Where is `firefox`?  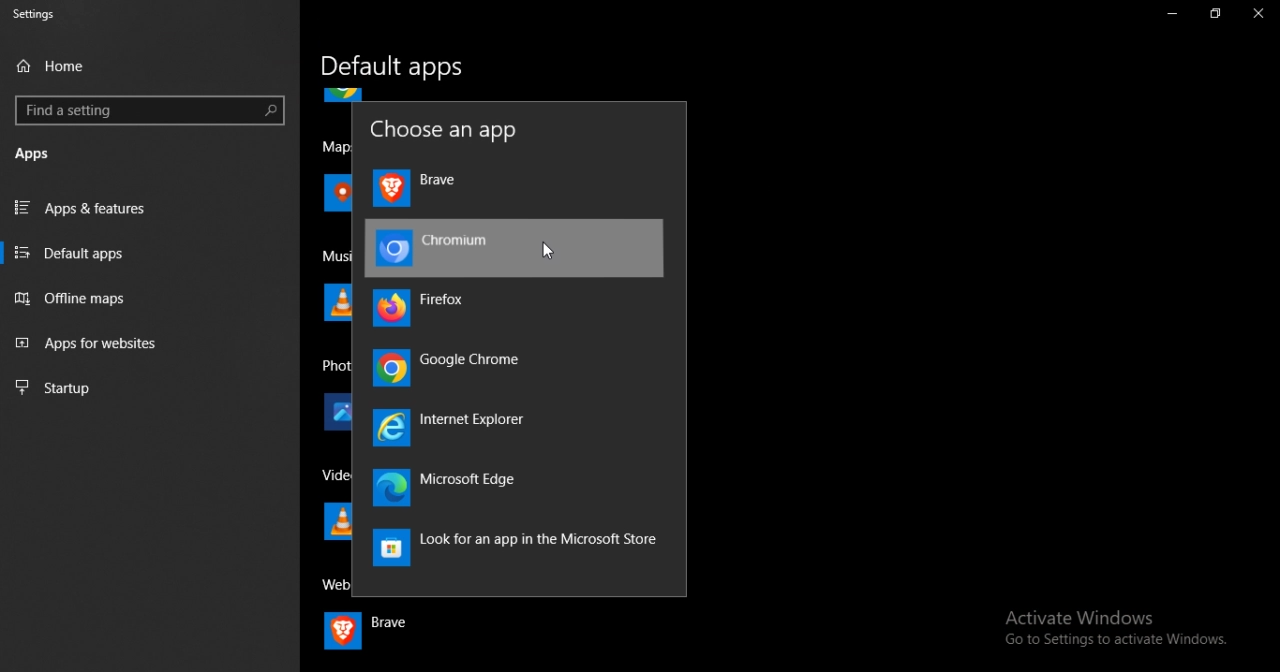 firefox is located at coordinates (430, 310).